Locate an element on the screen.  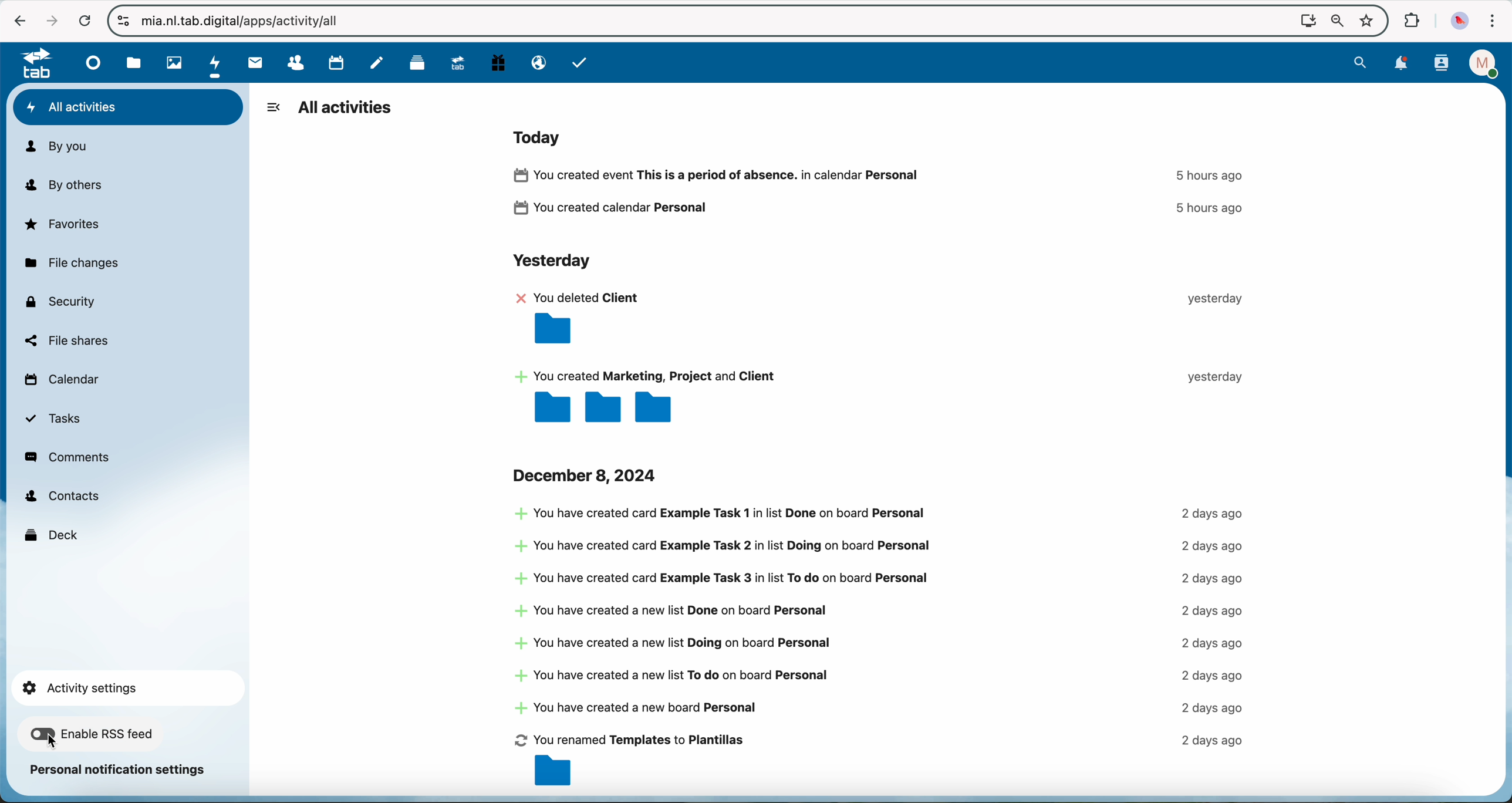
favorites is located at coordinates (64, 224).